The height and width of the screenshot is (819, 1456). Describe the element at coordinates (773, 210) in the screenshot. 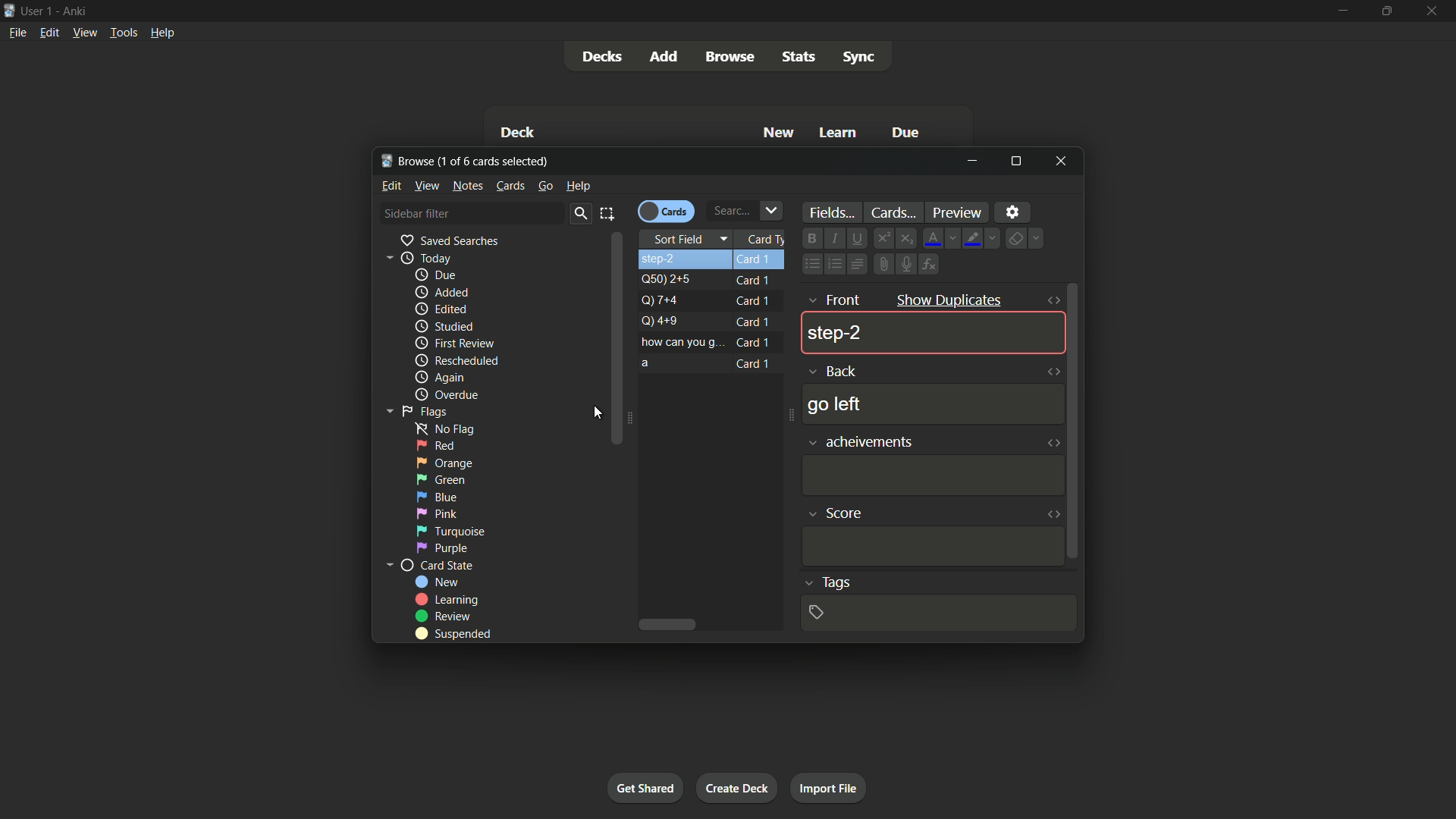

I see `Drop down` at that location.